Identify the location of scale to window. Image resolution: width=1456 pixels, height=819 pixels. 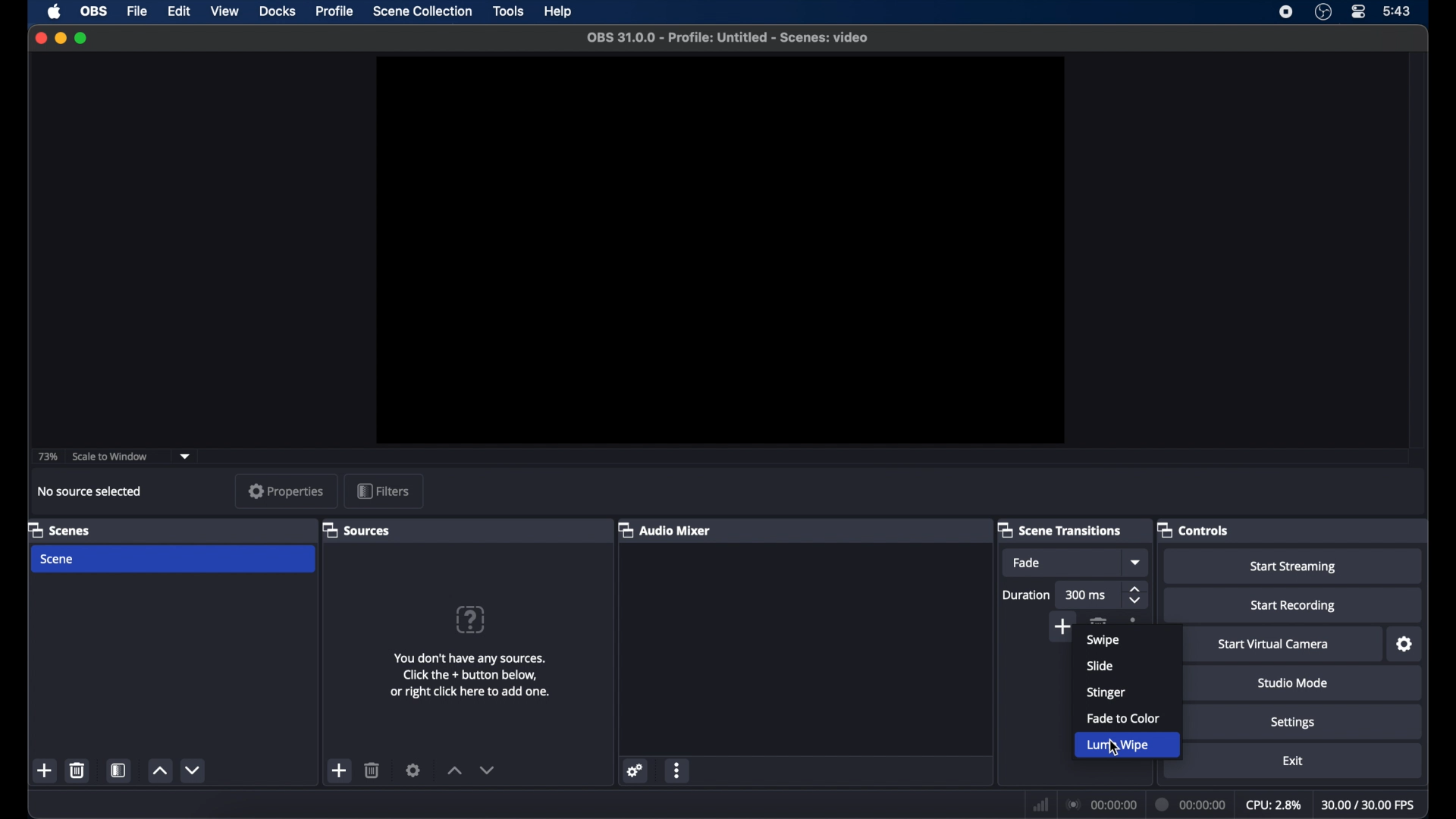
(110, 455).